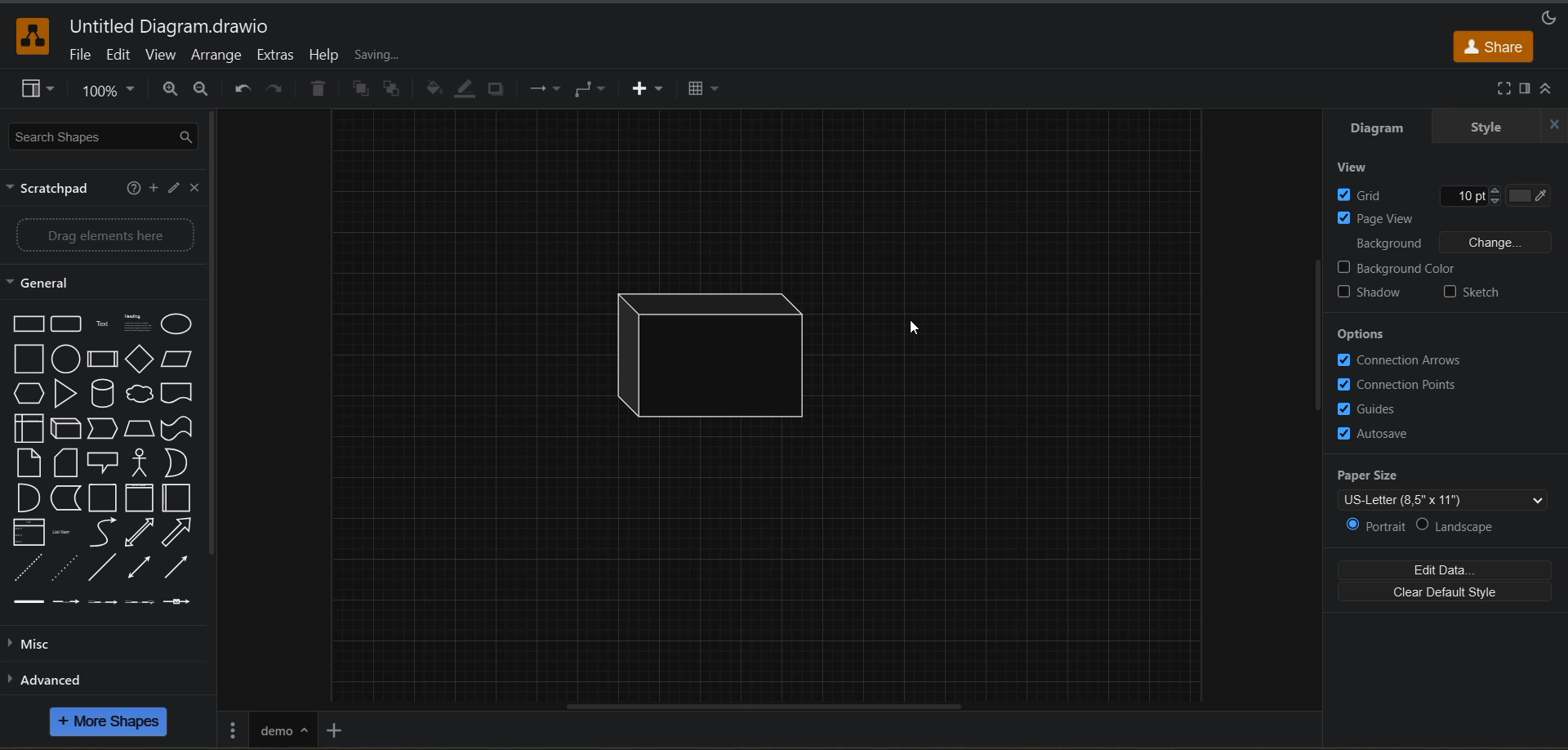  What do you see at coordinates (1470, 292) in the screenshot?
I see `sketch` at bounding box center [1470, 292].